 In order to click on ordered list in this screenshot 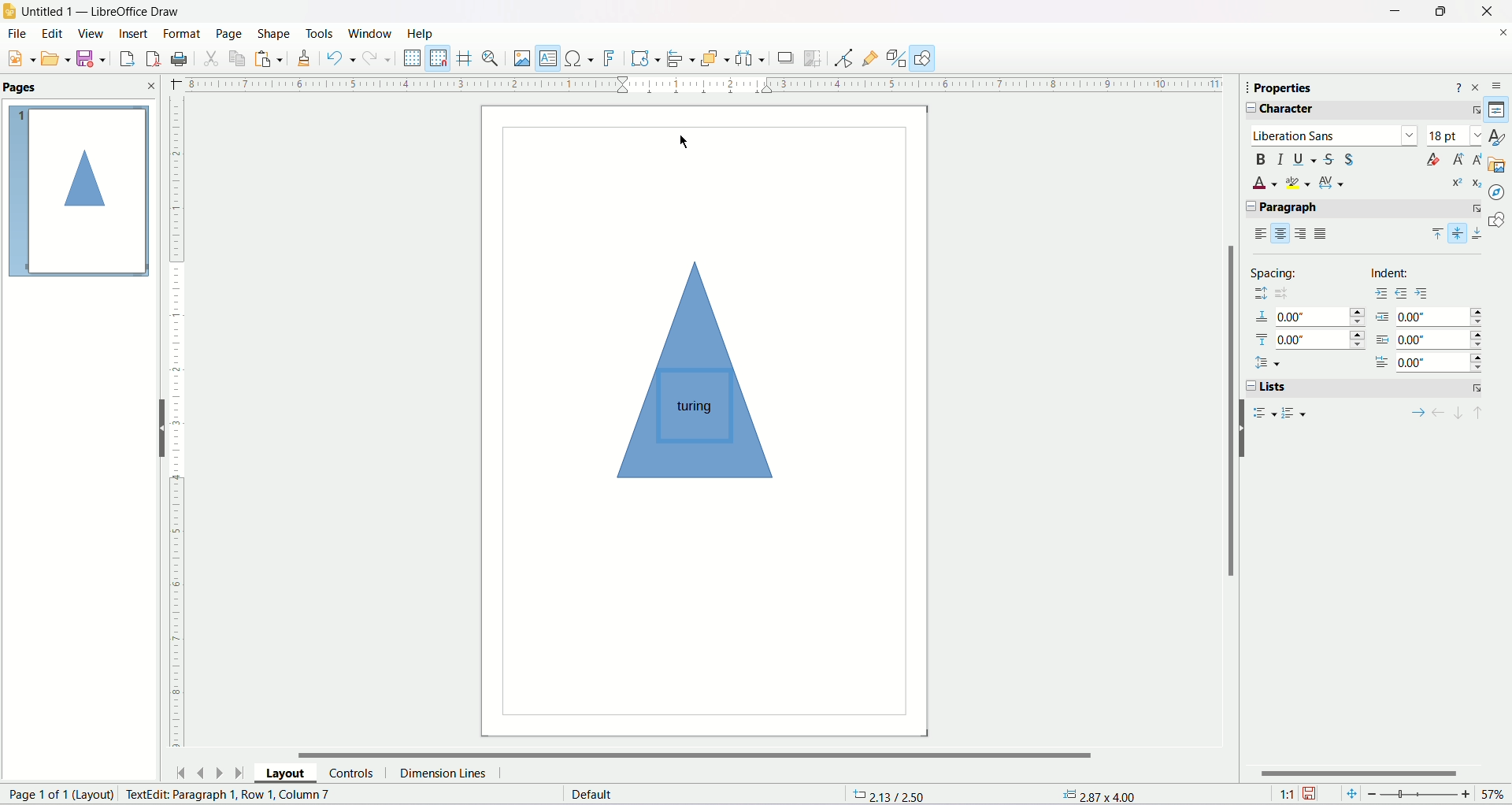, I will do `click(1297, 414)`.